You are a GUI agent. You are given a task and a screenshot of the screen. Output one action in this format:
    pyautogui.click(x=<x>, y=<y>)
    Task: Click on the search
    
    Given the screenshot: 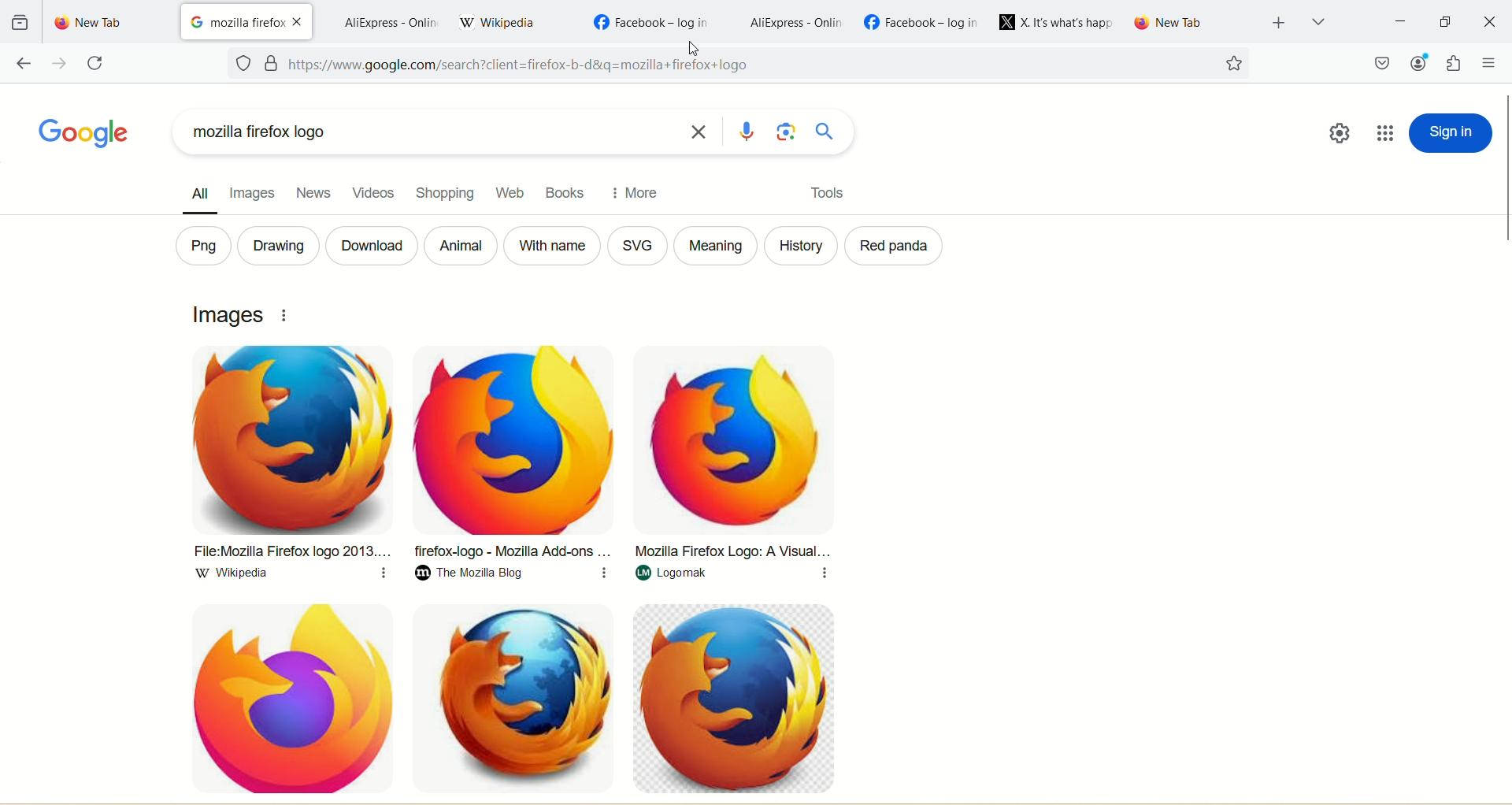 What is the action you would take?
    pyautogui.click(x=825, y=132)
    